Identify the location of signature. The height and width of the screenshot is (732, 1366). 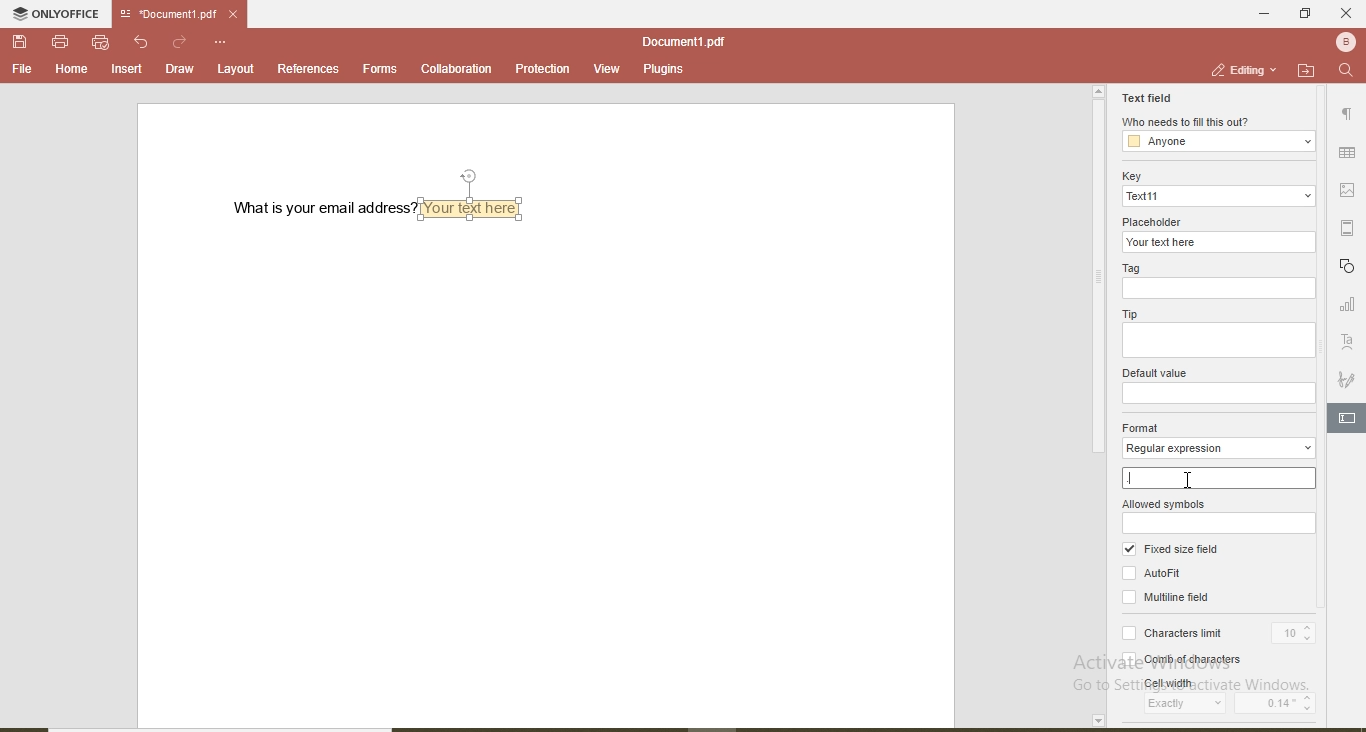
(1347, 381).